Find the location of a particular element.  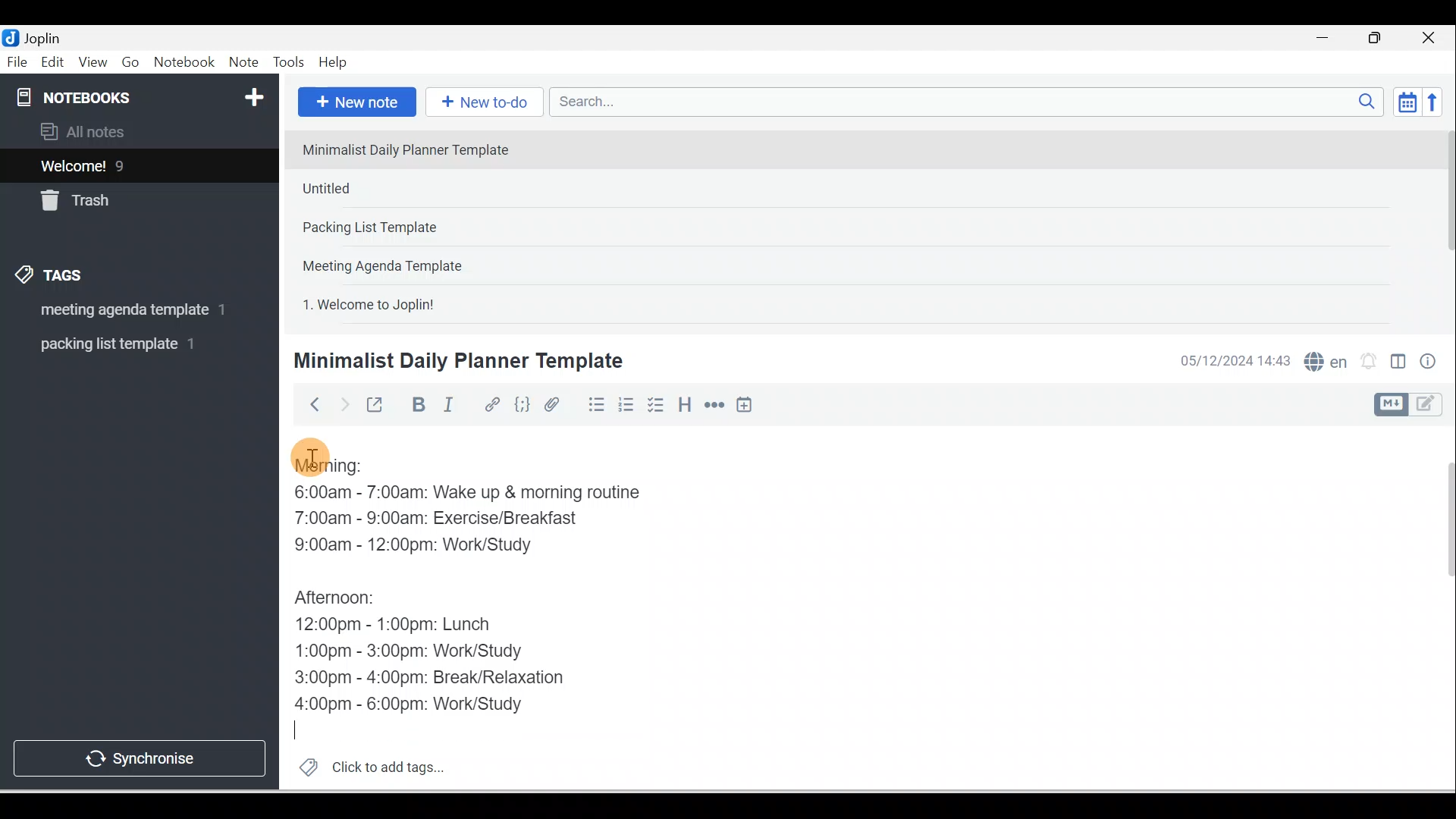

Close is located at coordinates (1432, 38).